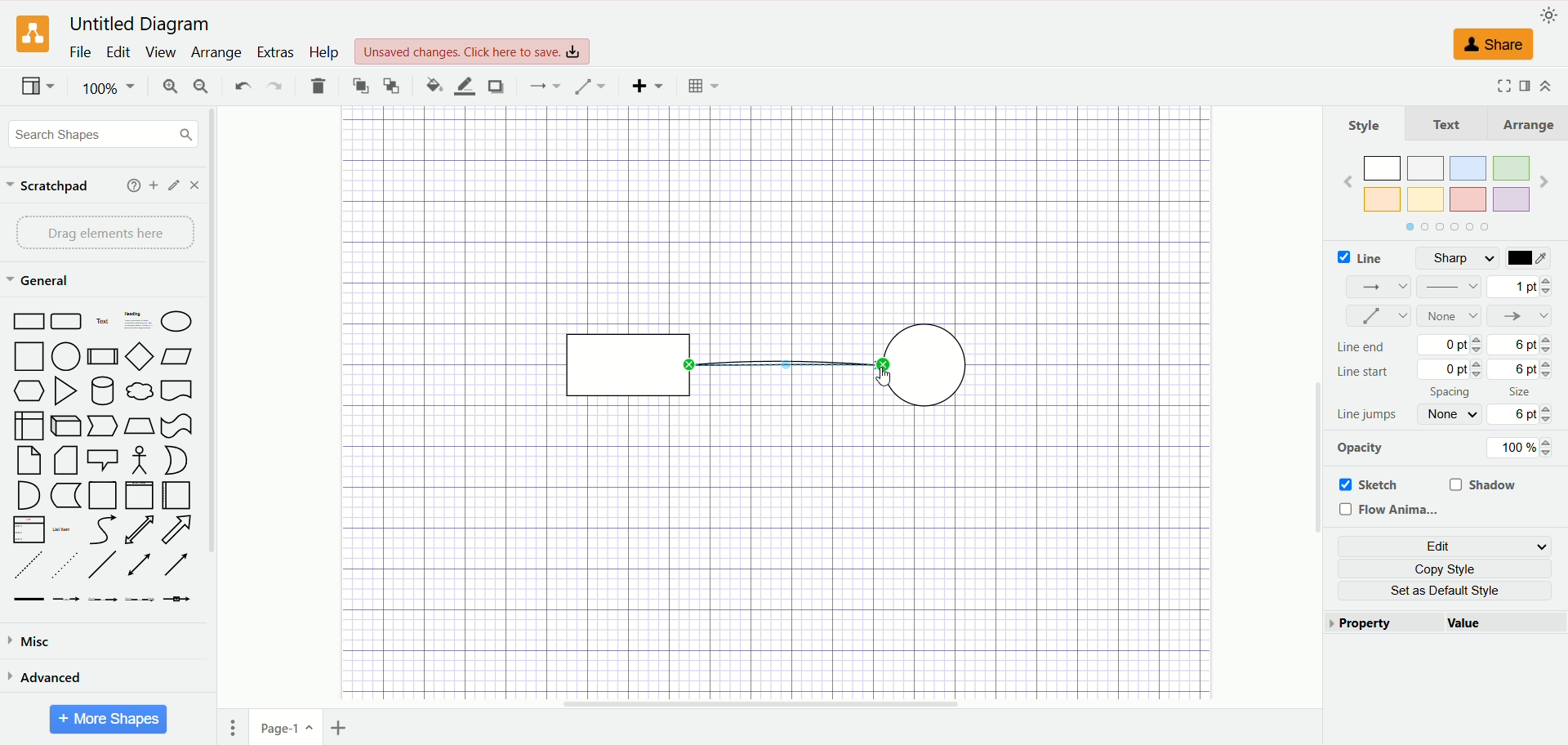 The width and height of the screenshot is (1568, 745). I want to click on opacity, so click(1363, 448).